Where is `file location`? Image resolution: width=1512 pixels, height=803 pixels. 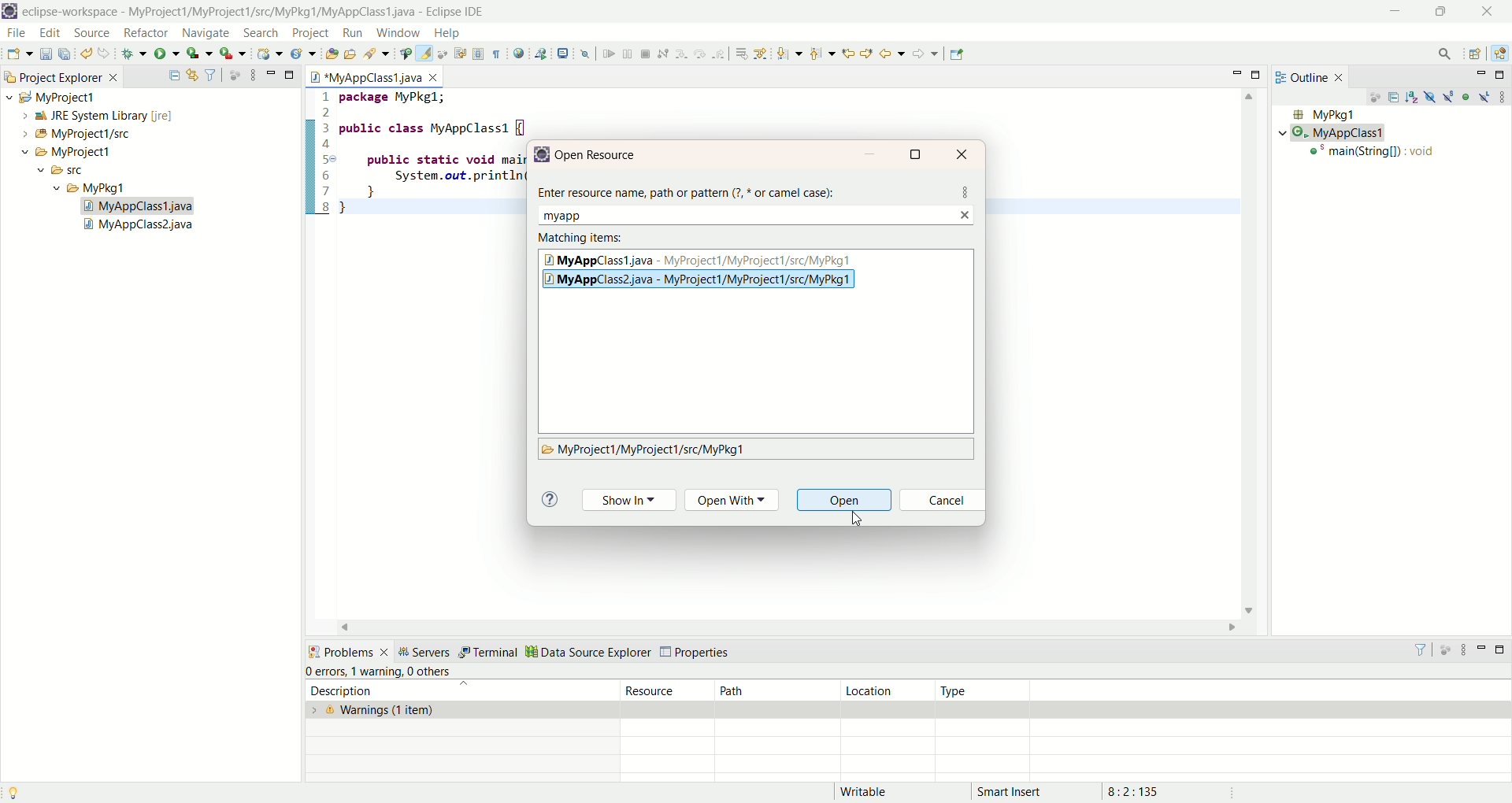 file location is located at coordinates (644, 450).